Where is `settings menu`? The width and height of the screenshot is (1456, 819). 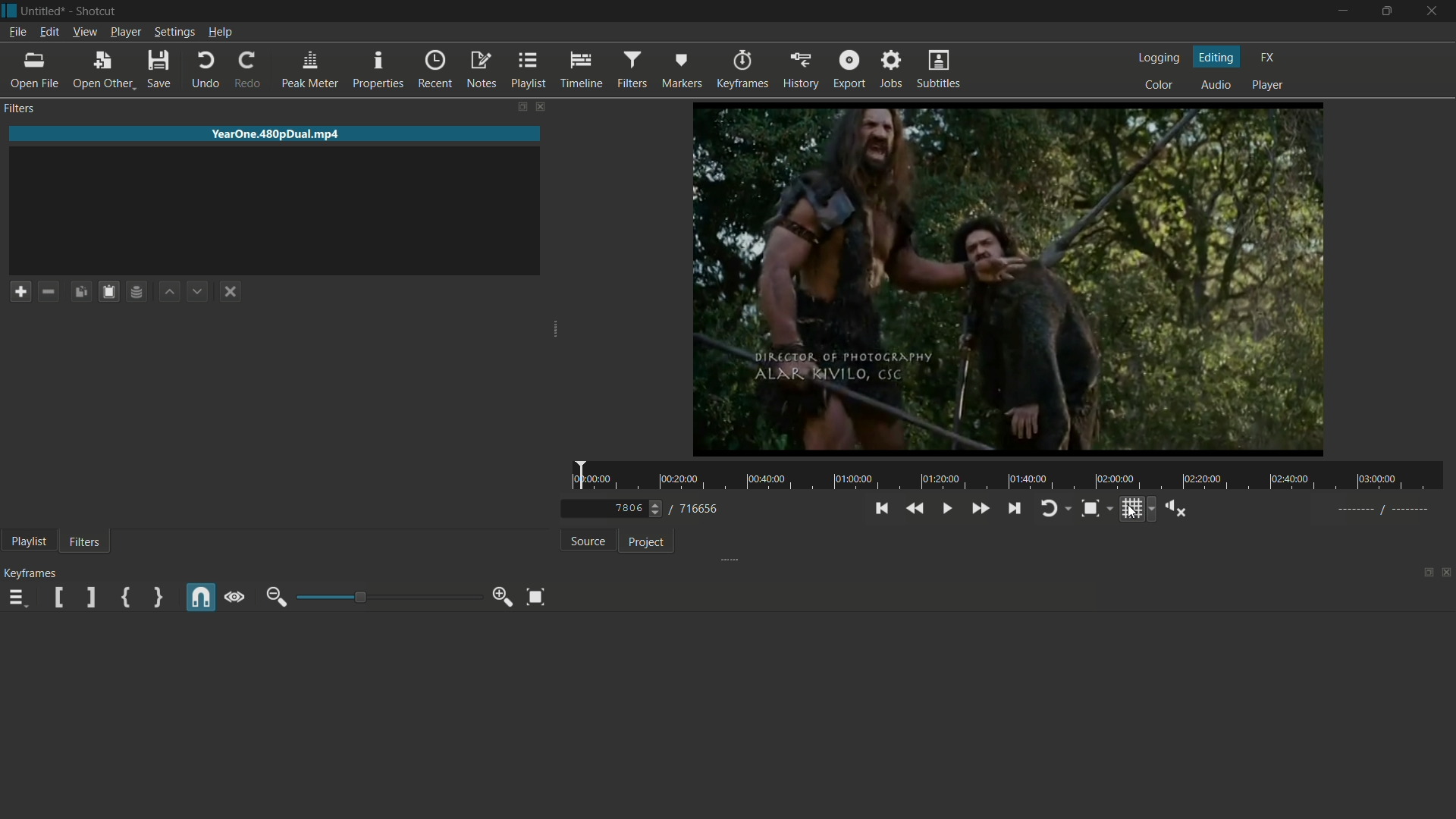
settings menu is located at coordinates (174, 33).